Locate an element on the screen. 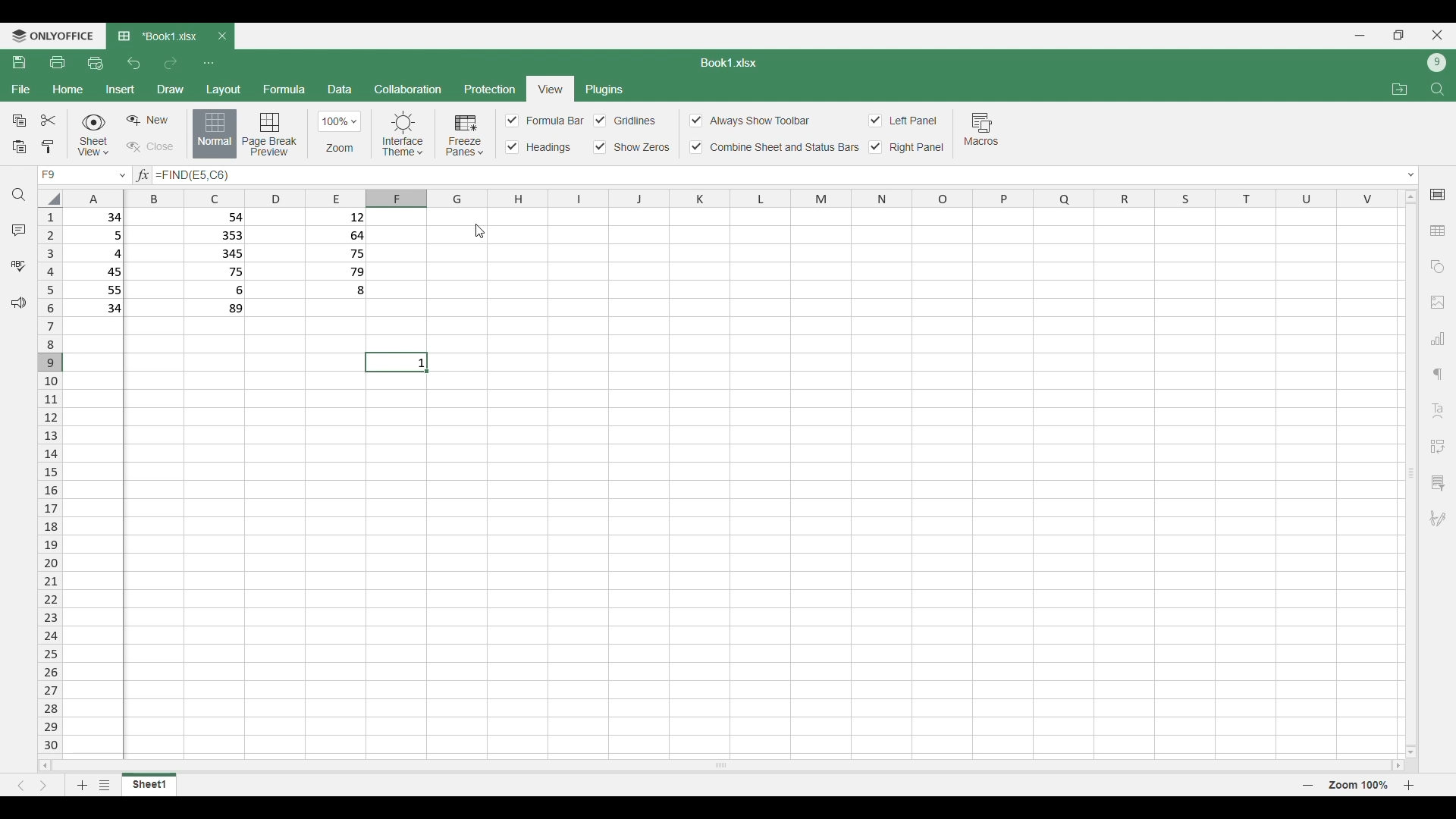 The height and width of the screenshot is (819, 1456). Add digital signature or signature line is located at coordinates (1437, 519).